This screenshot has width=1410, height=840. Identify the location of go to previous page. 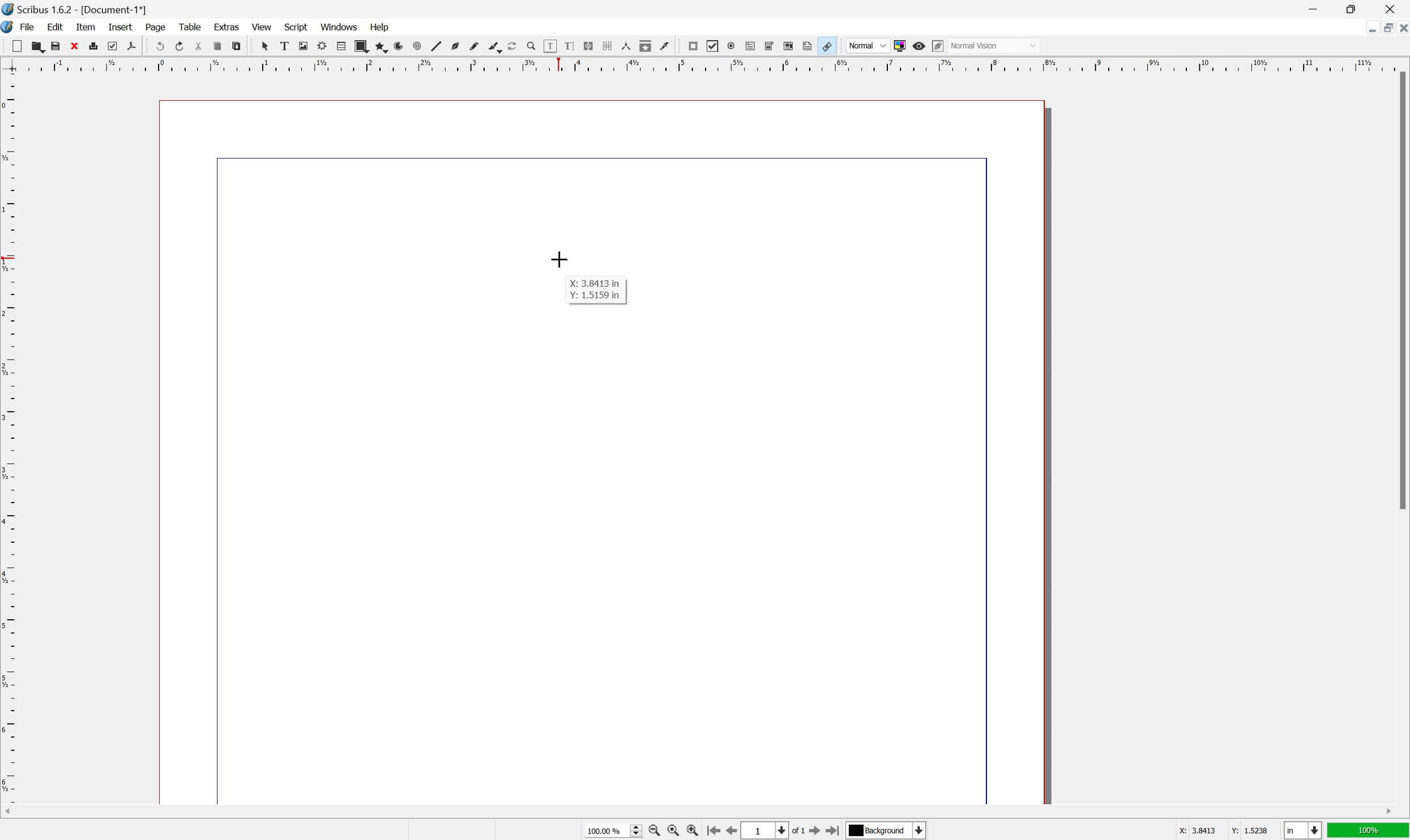
(729, 830).